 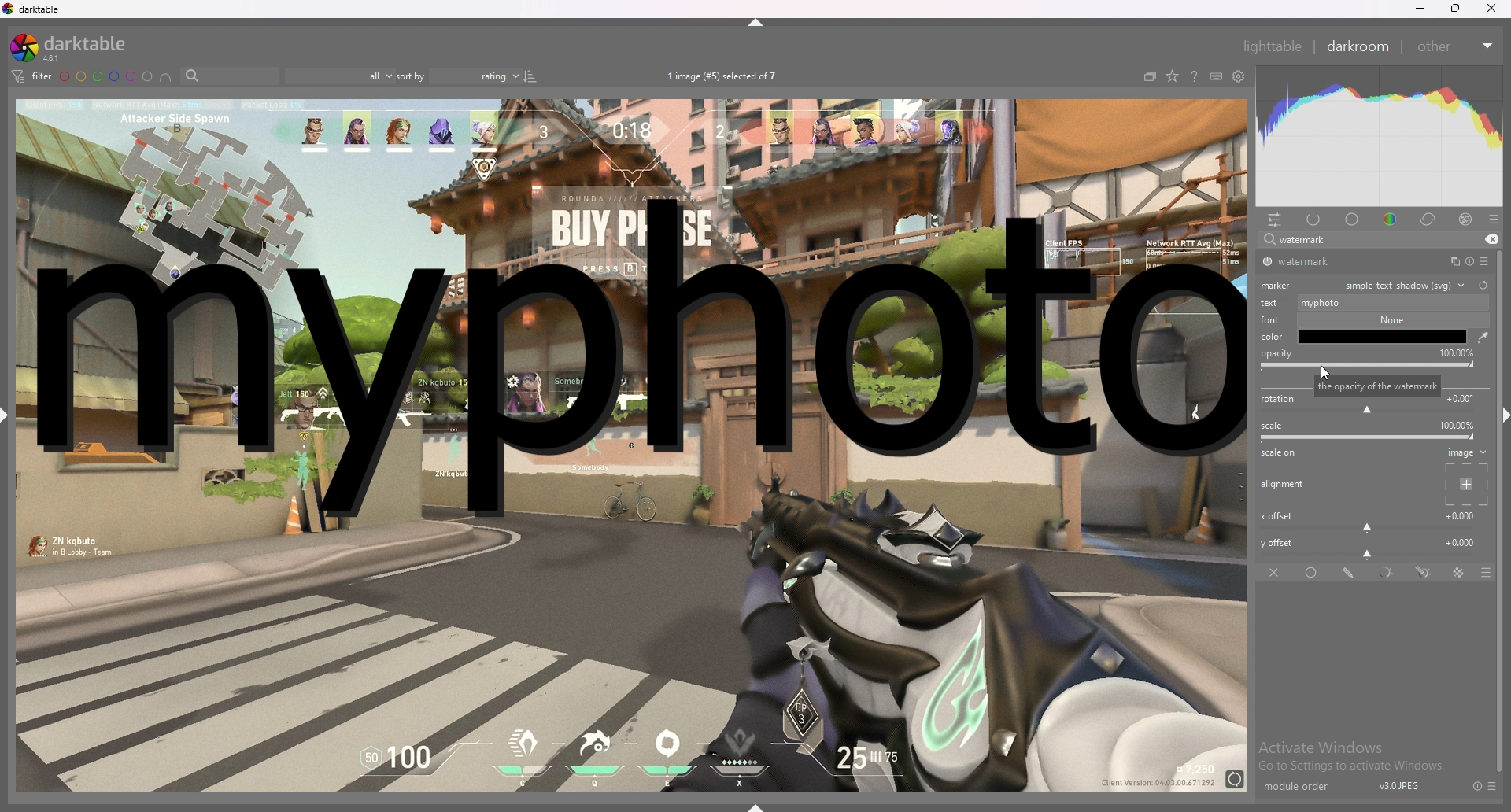 What do you see at coordinates (1469, 262) in the screenshot?
I see `reset` at bounding box center [1469, 262].